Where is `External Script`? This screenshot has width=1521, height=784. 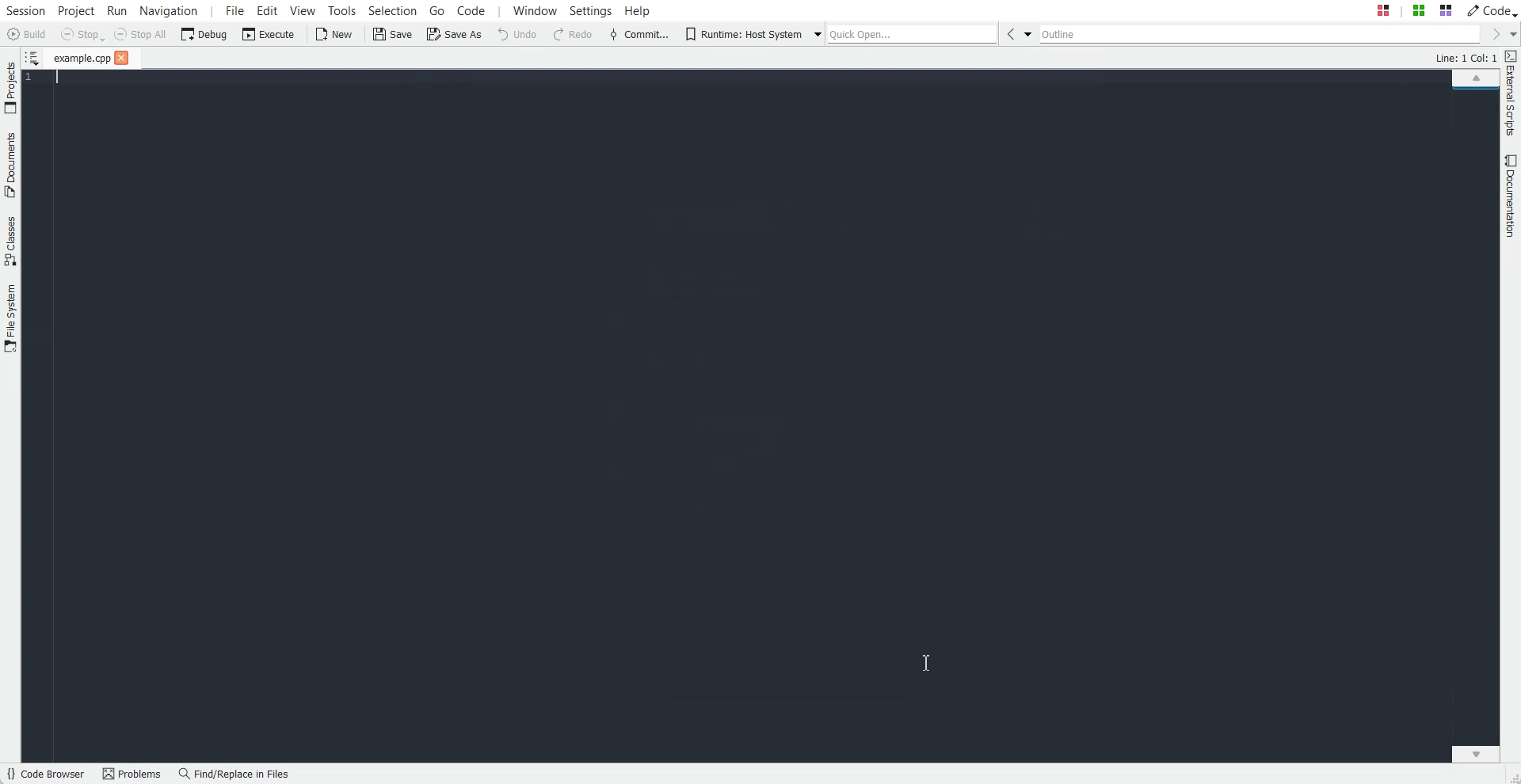 External Script is located at coordinates (1511, 94).